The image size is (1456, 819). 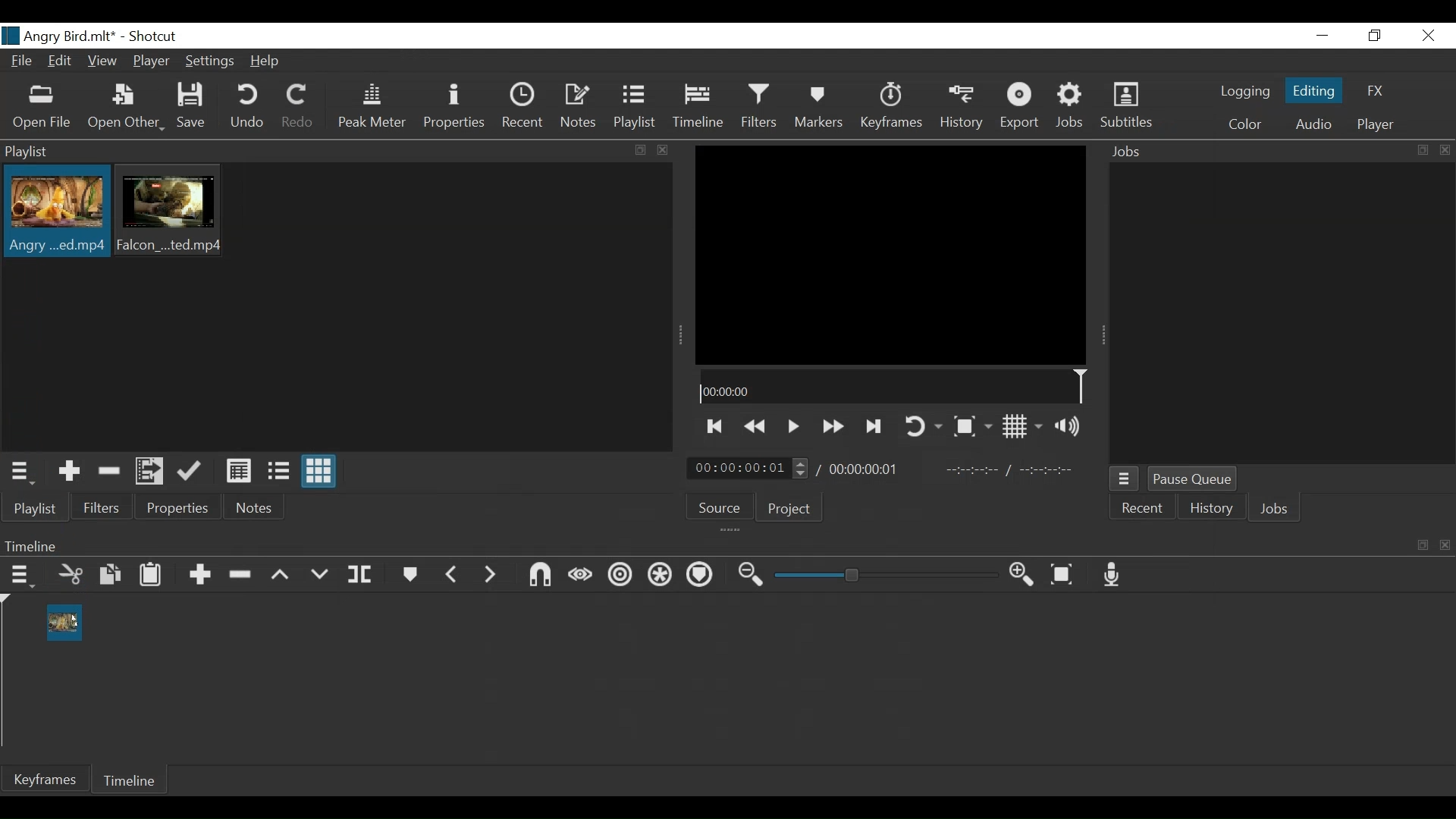 I want to click on Redo, so click(x=297, y=107).